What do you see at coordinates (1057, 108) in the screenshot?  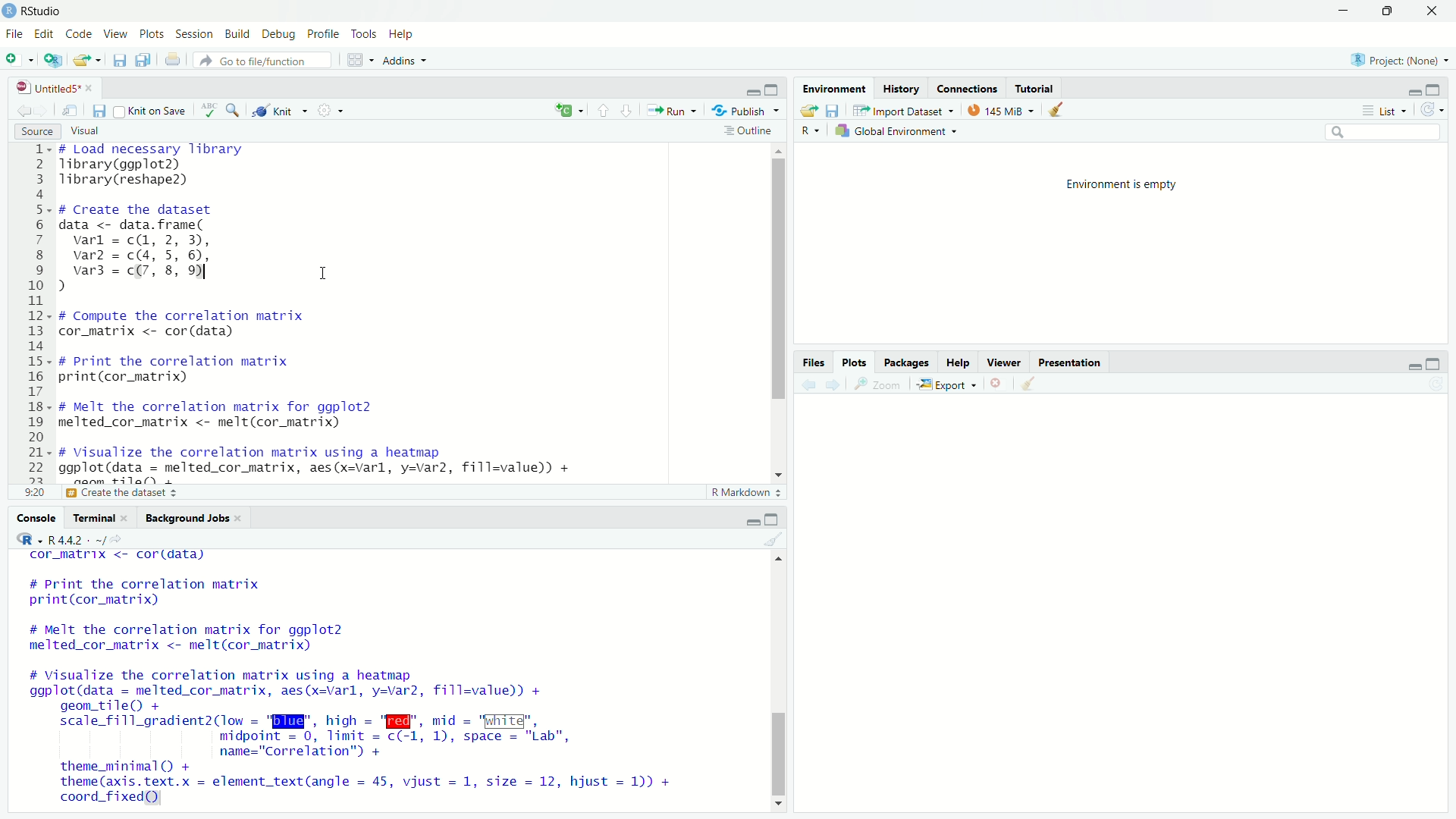 I see `clear objects` at bounding box center [1057, 108].